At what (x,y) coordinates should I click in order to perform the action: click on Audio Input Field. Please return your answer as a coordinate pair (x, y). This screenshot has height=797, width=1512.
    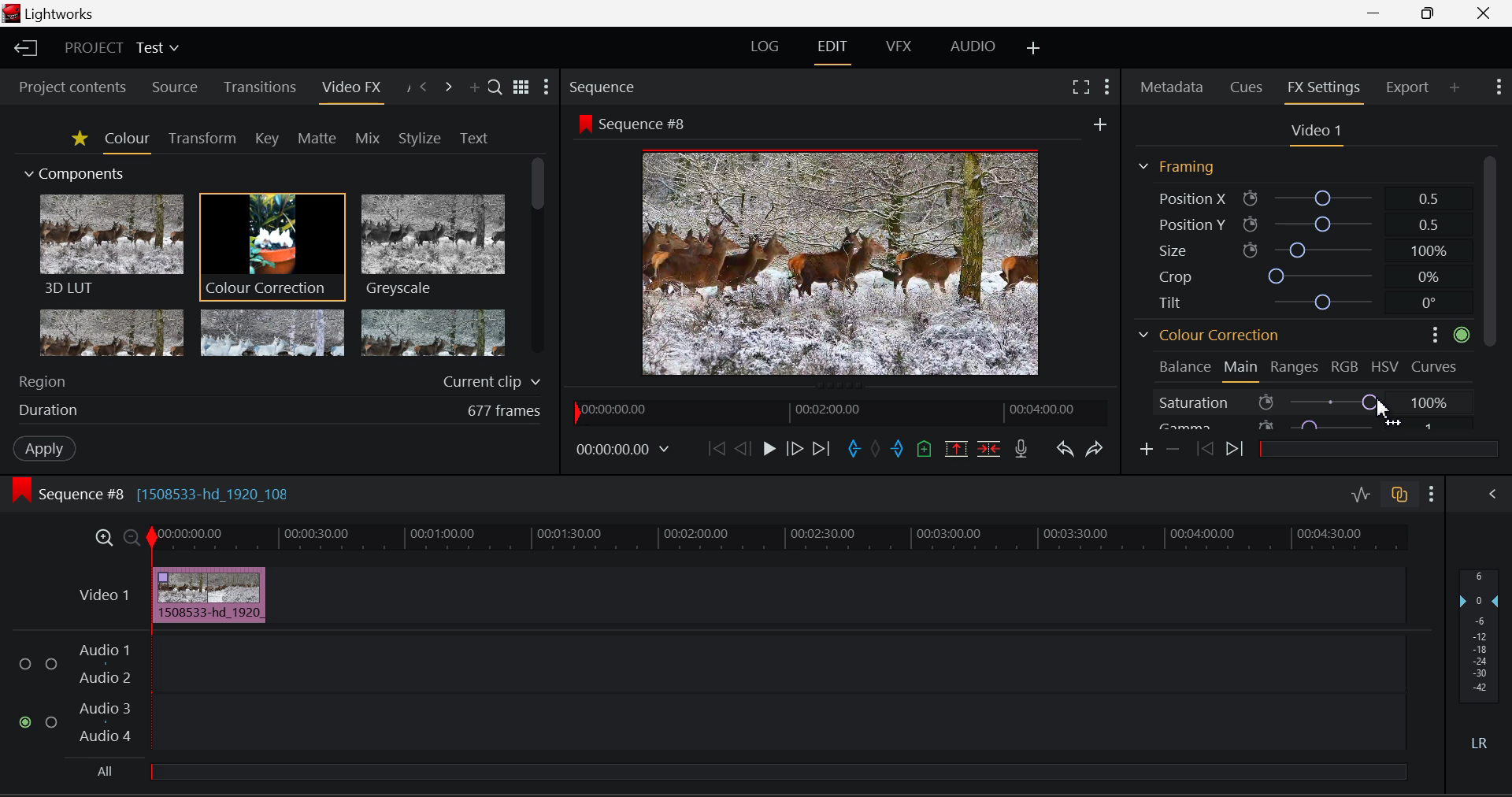
    Looking at the image, I should click on (776, 724).